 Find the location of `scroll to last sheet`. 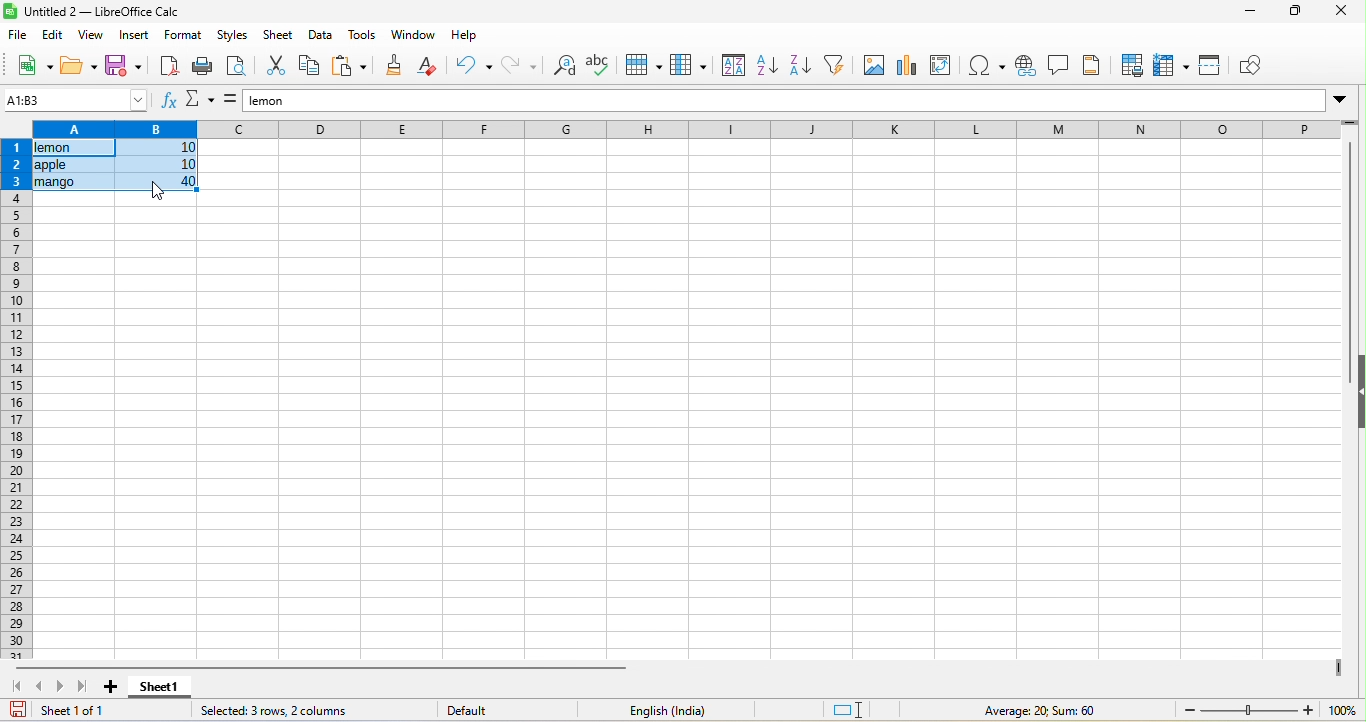

scroll to last sheet is located at coordinates (81, 688).